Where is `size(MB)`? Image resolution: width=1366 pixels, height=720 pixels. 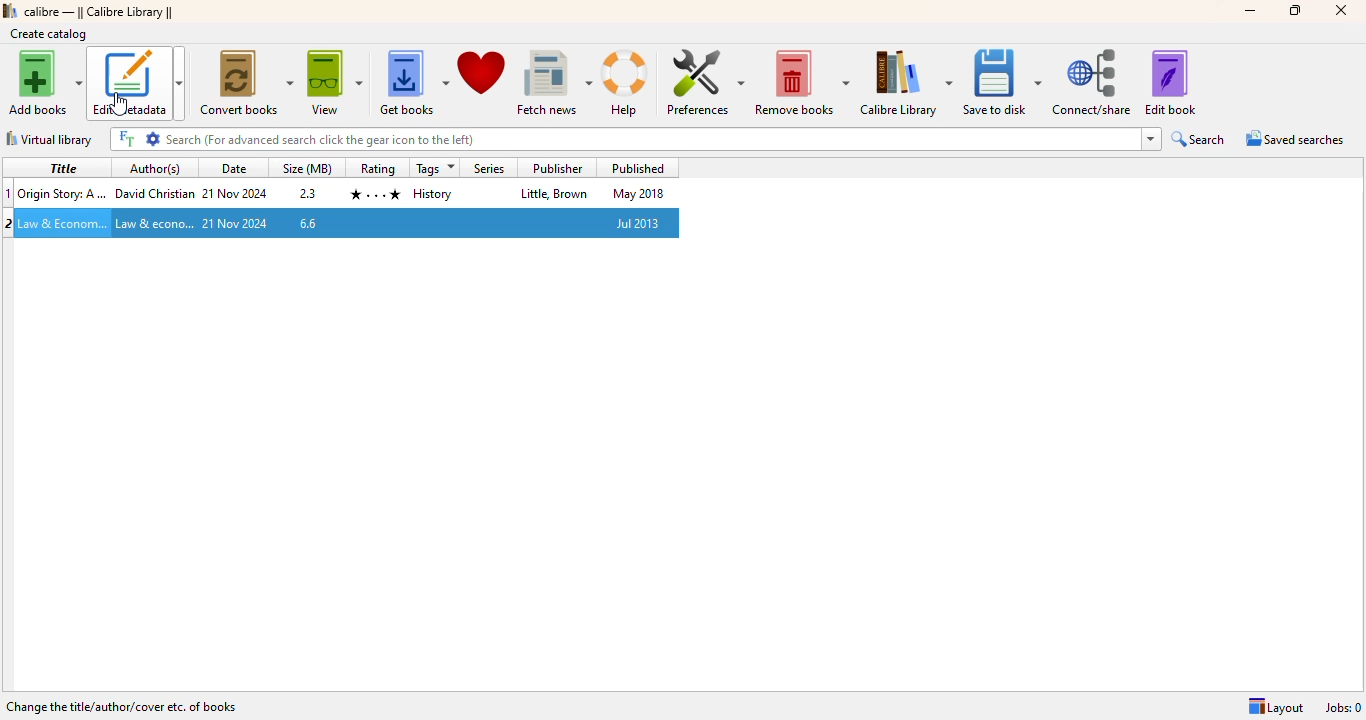 size(MB) is located at coordinates (309, 168).